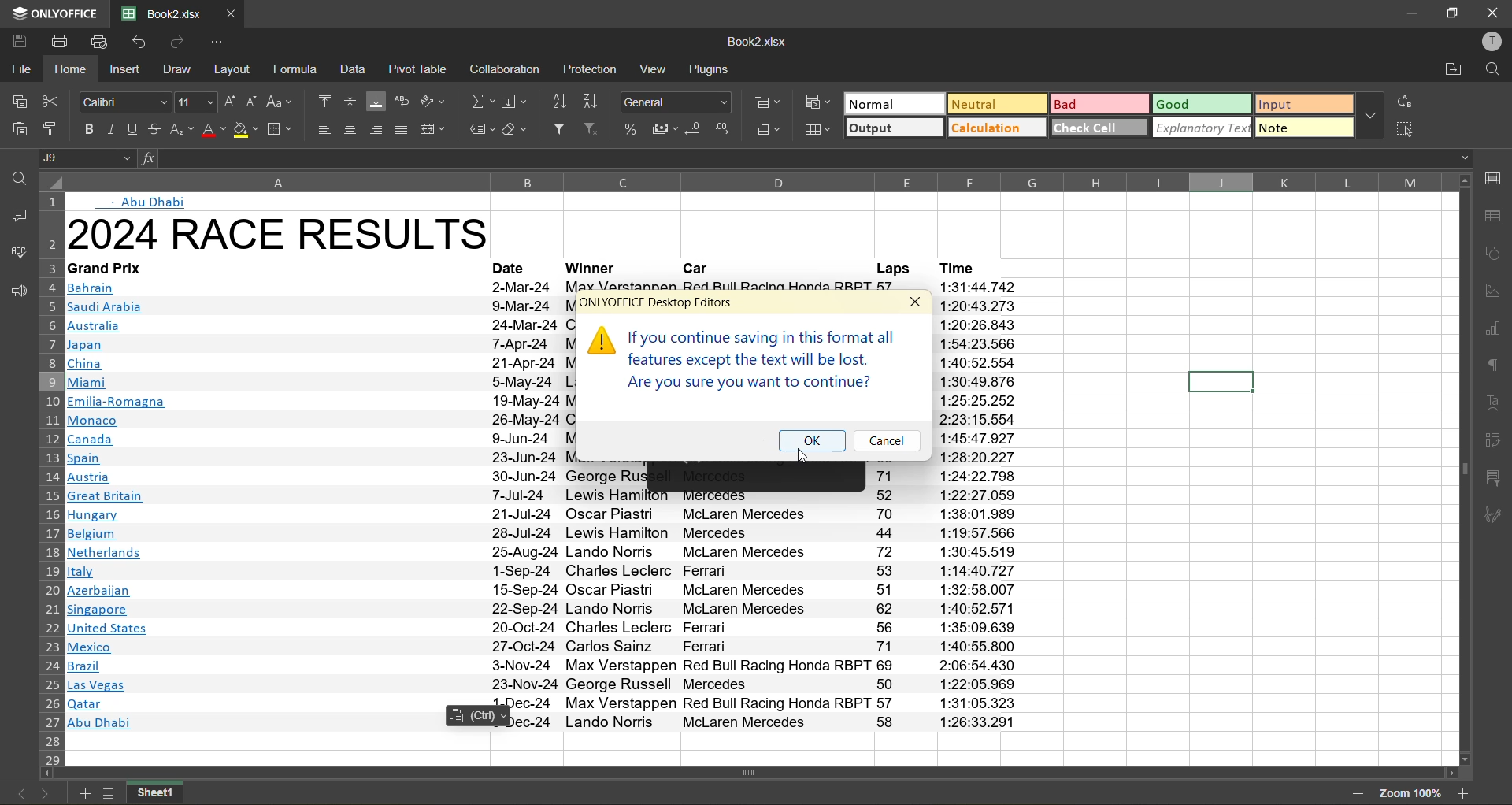  Describe the element at coordinates (218, 41) in the screenshot. I see `customize quick access toolbar` at that location.